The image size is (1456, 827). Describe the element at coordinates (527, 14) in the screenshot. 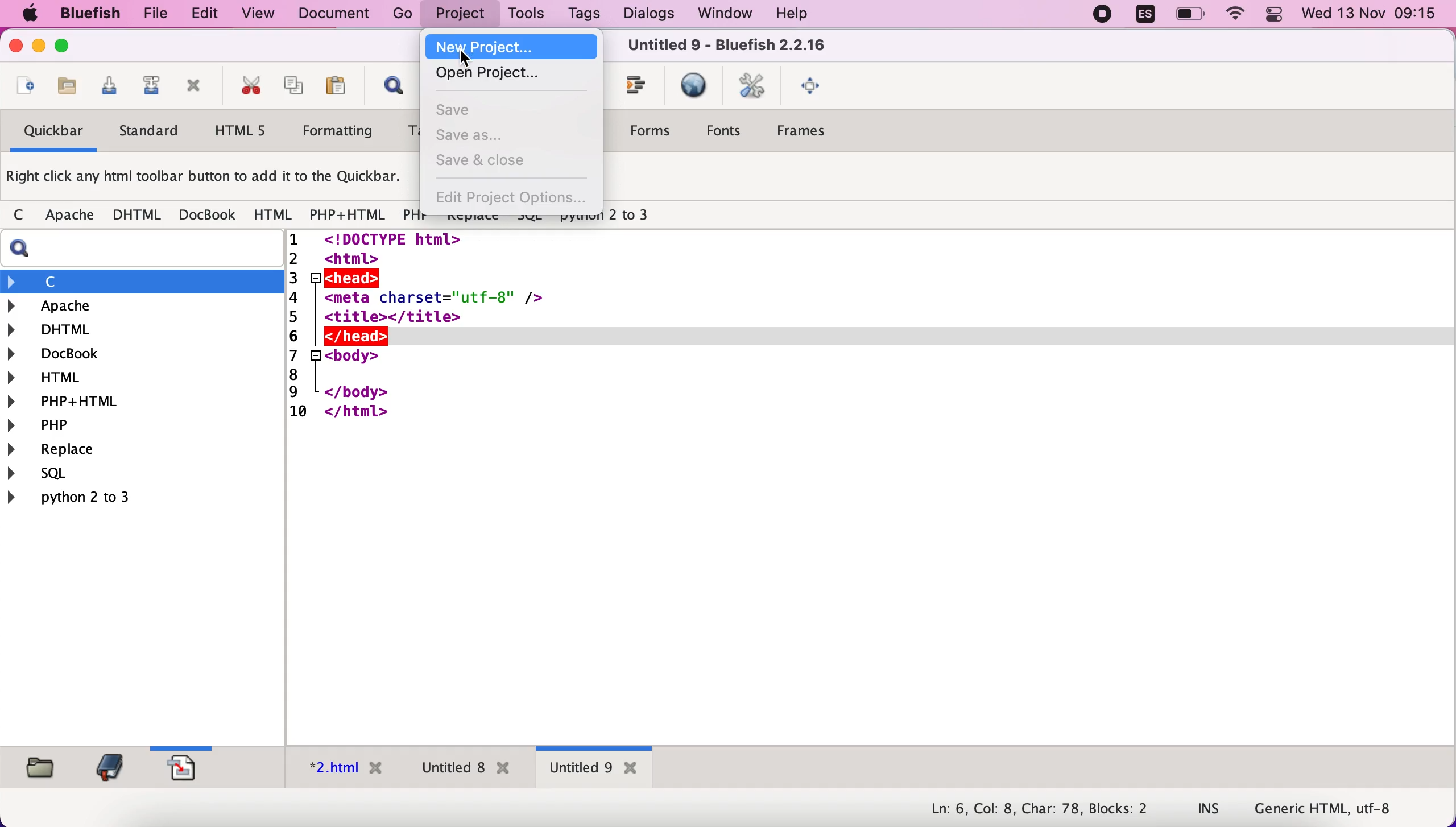

I see `TOOLS` at that location.